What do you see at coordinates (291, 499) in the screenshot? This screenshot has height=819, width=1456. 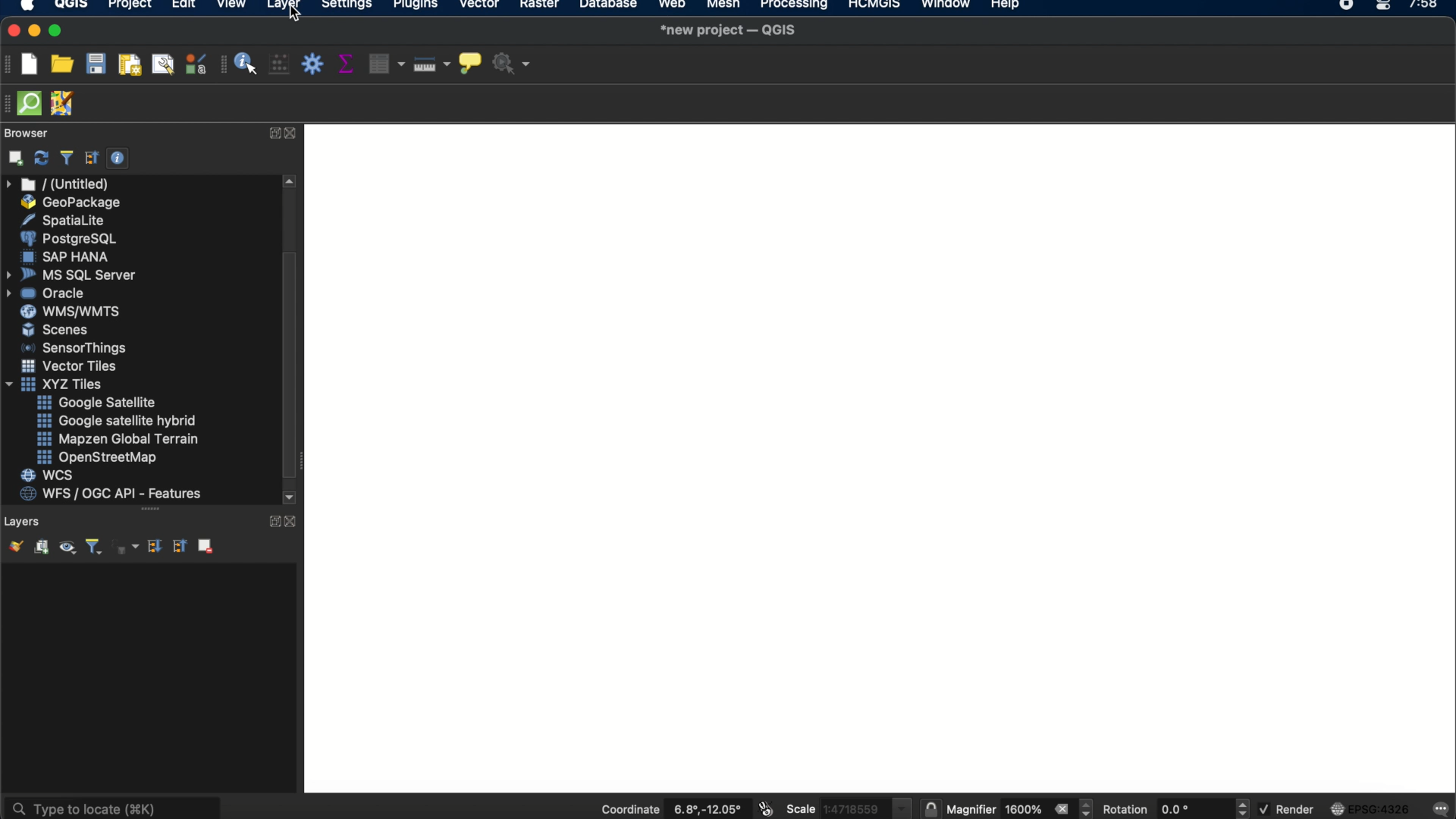 I see `scroll down arrow` at bounding box center [291, 499].